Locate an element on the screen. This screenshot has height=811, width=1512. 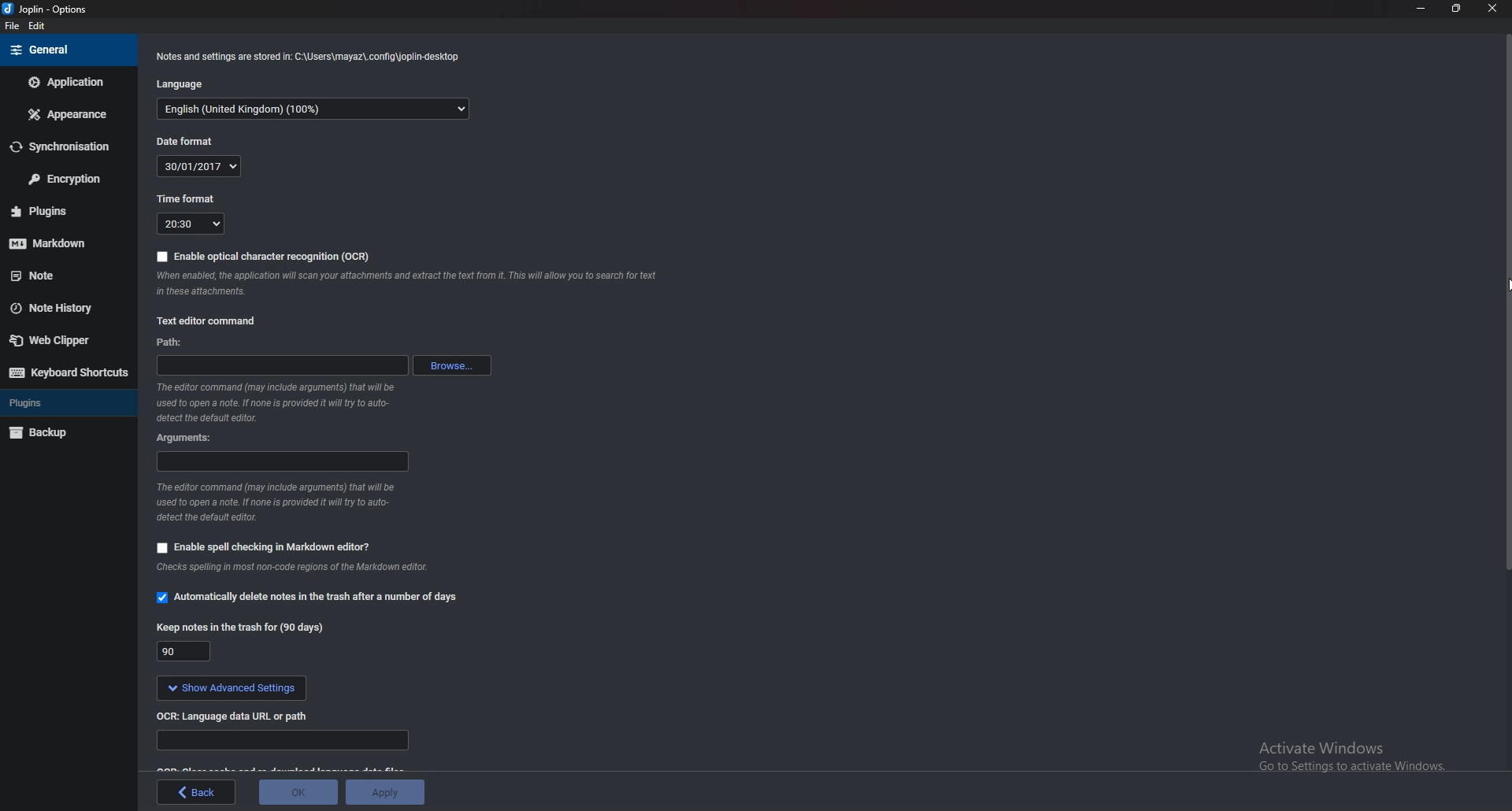
notes and settings Info is located at coordinates (309, 57).